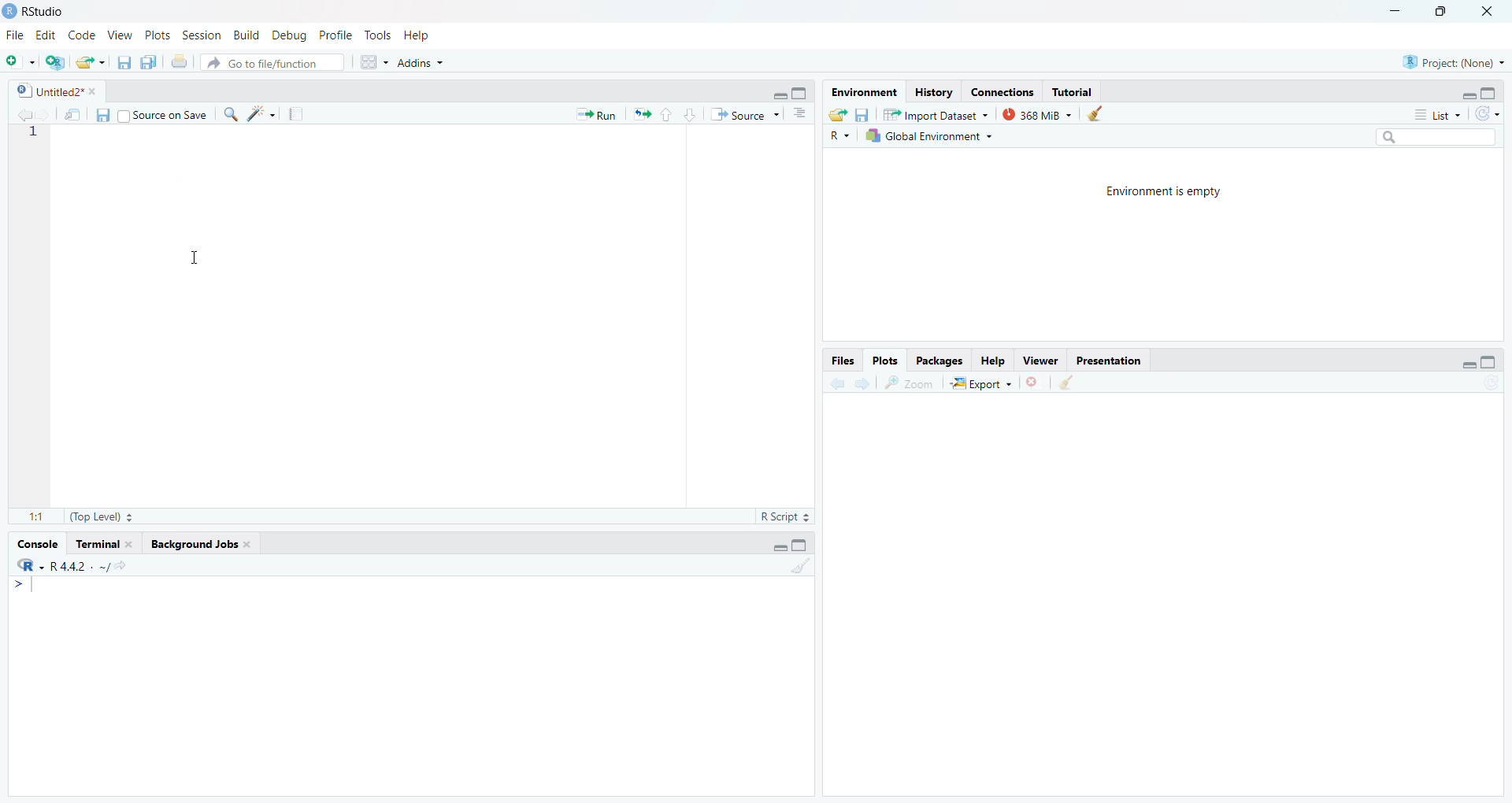 This screenshot has height=803, width=1512. What do you see at coordinates (1462, 95) in the screenshot?
I see `minimise` at bounding box center [1462, 95].